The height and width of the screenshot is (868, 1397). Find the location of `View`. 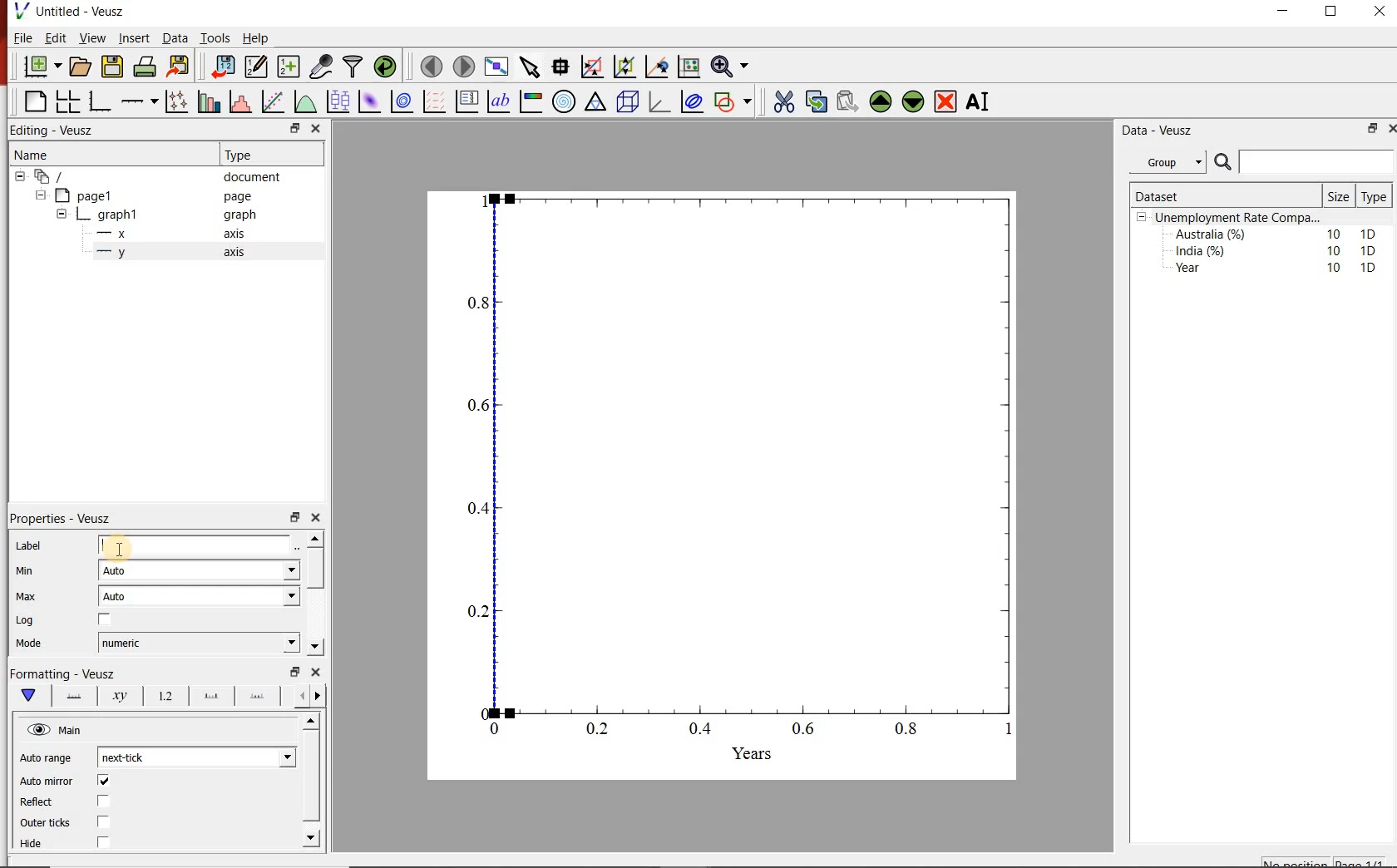

View is located at coordinates (91, 38).